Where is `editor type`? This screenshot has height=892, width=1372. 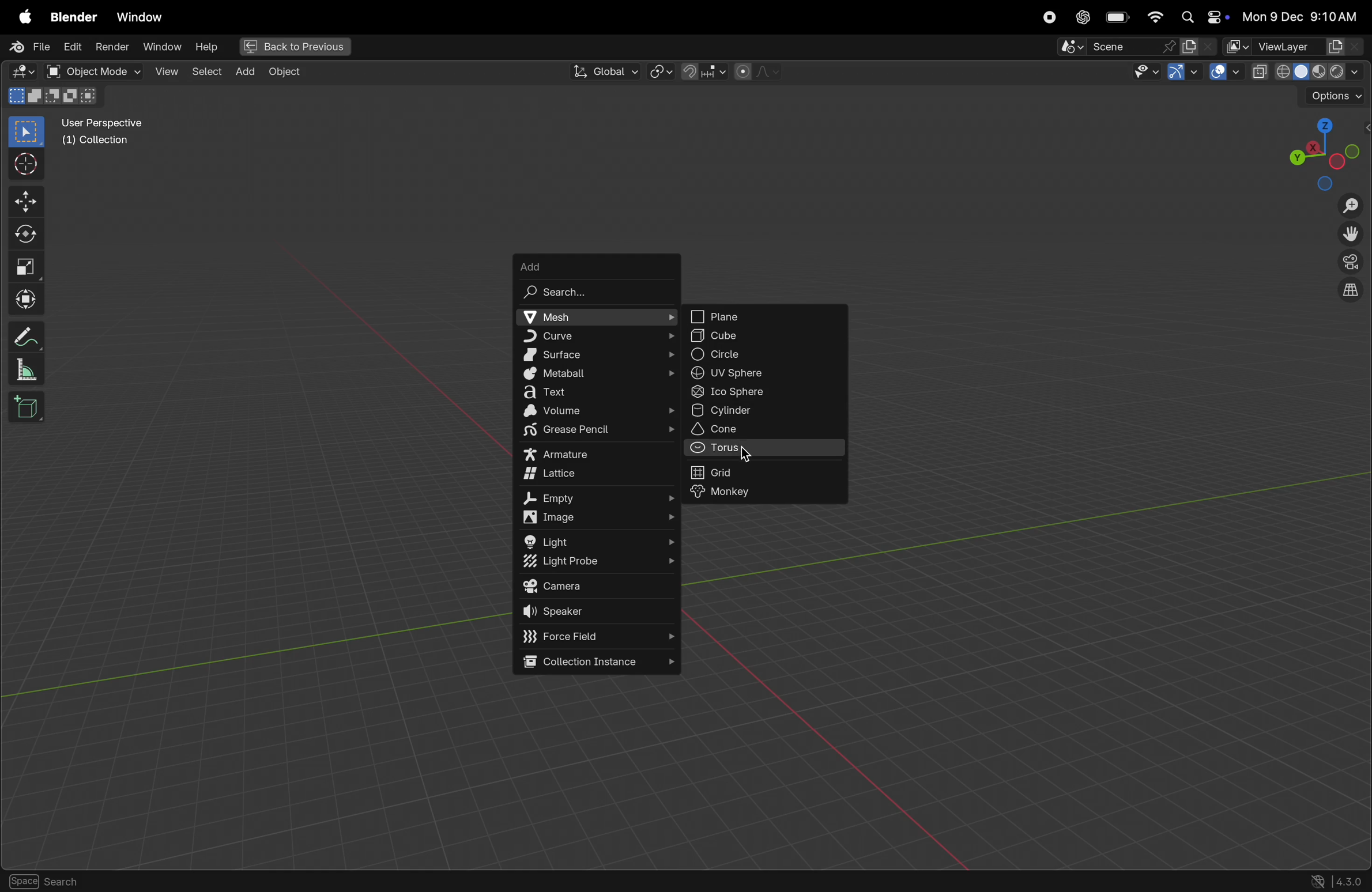
editor type is located at coordinates (18, 73).